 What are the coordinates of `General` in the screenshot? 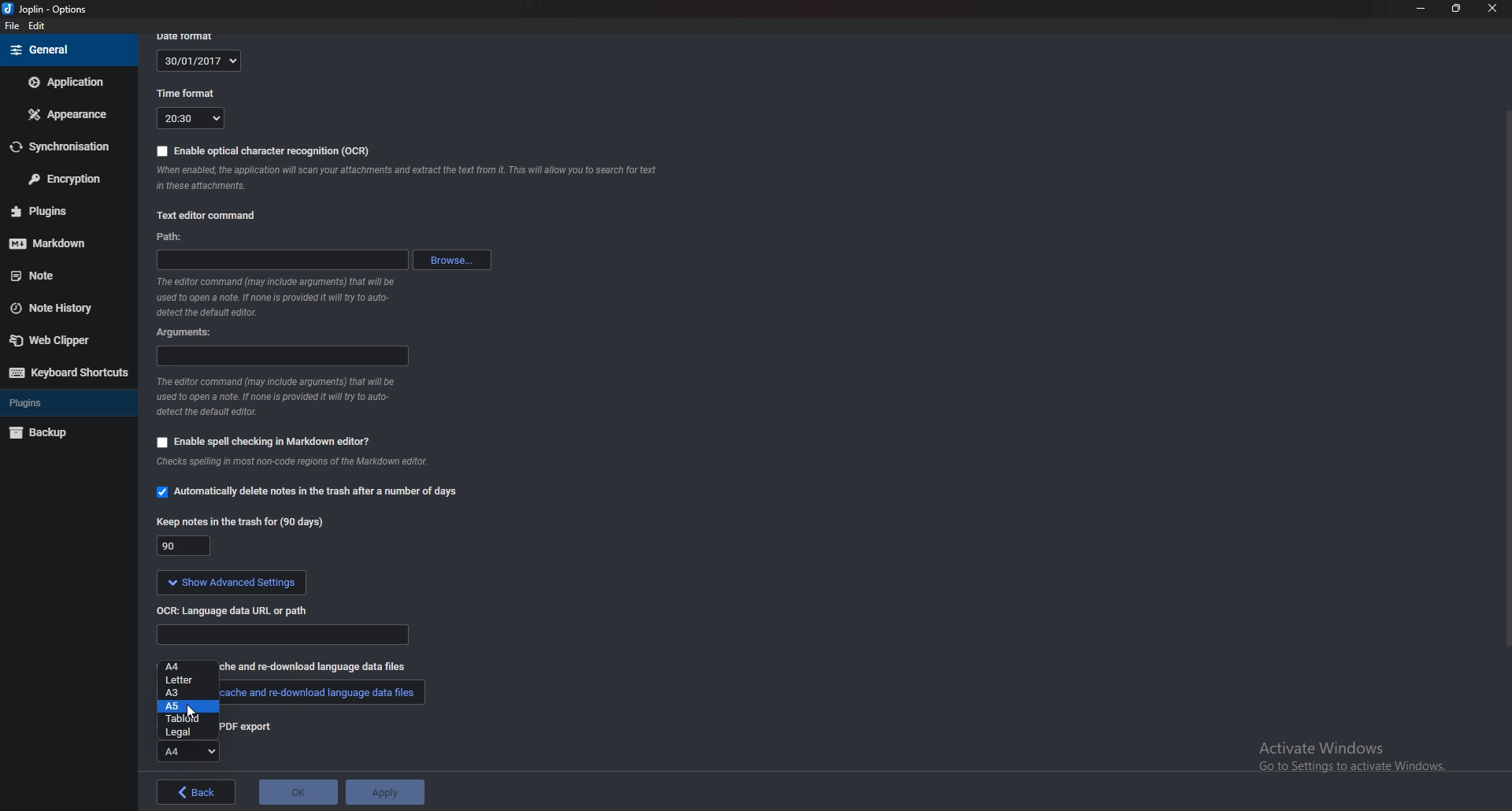 It's located at (67, 50).